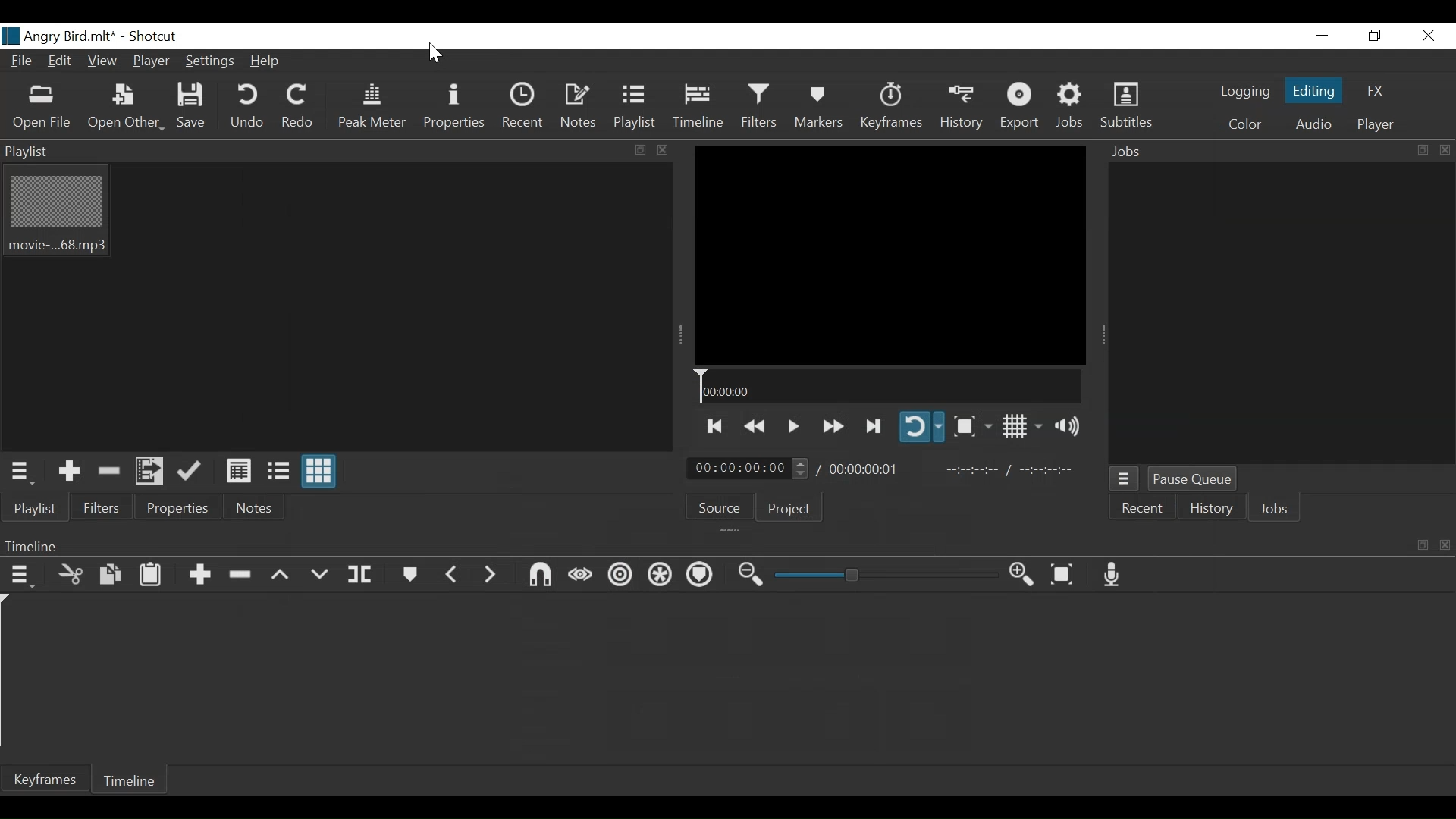 This screenshot has width=1456, height=819. Describe the element at coordinates (868, 468) in the screenshot. I see `Total Duration` at that location.